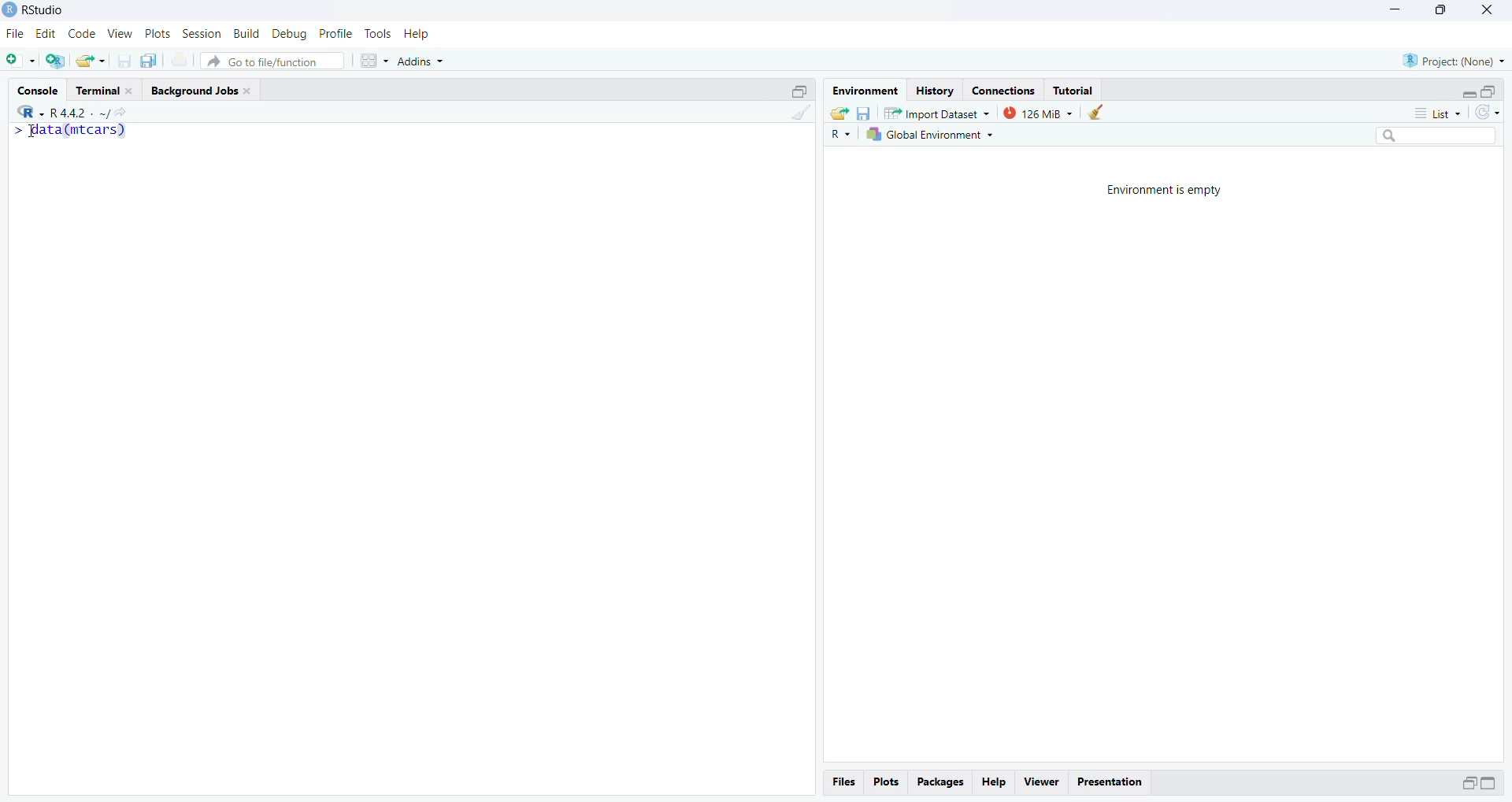 The width and height of the screenshot is (1512, 802). What do you see at coordinates (91, 61) in the screenshot?
I see `open existing file` at bounding box center [91, 61].